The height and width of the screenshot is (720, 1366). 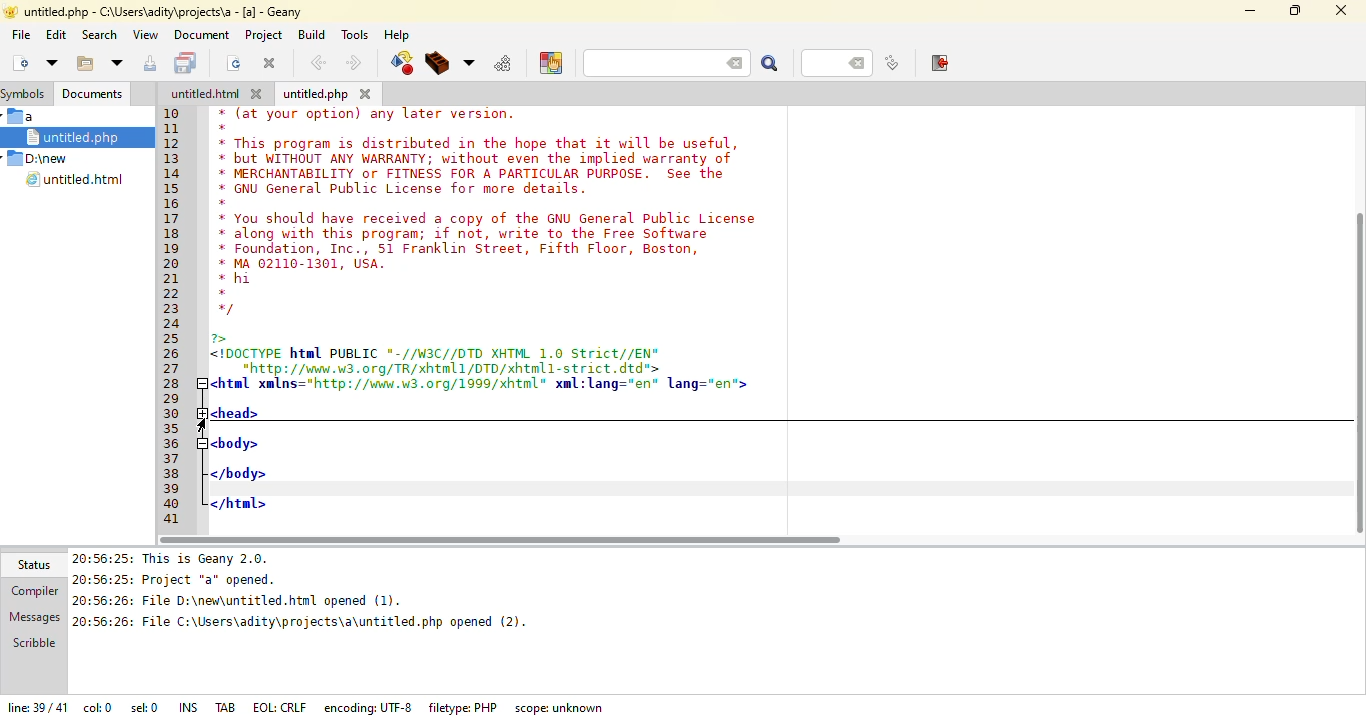 What do you see at coordinates (23, 115) in the screenshot?
I see `a` at bounding box center [23, 115].